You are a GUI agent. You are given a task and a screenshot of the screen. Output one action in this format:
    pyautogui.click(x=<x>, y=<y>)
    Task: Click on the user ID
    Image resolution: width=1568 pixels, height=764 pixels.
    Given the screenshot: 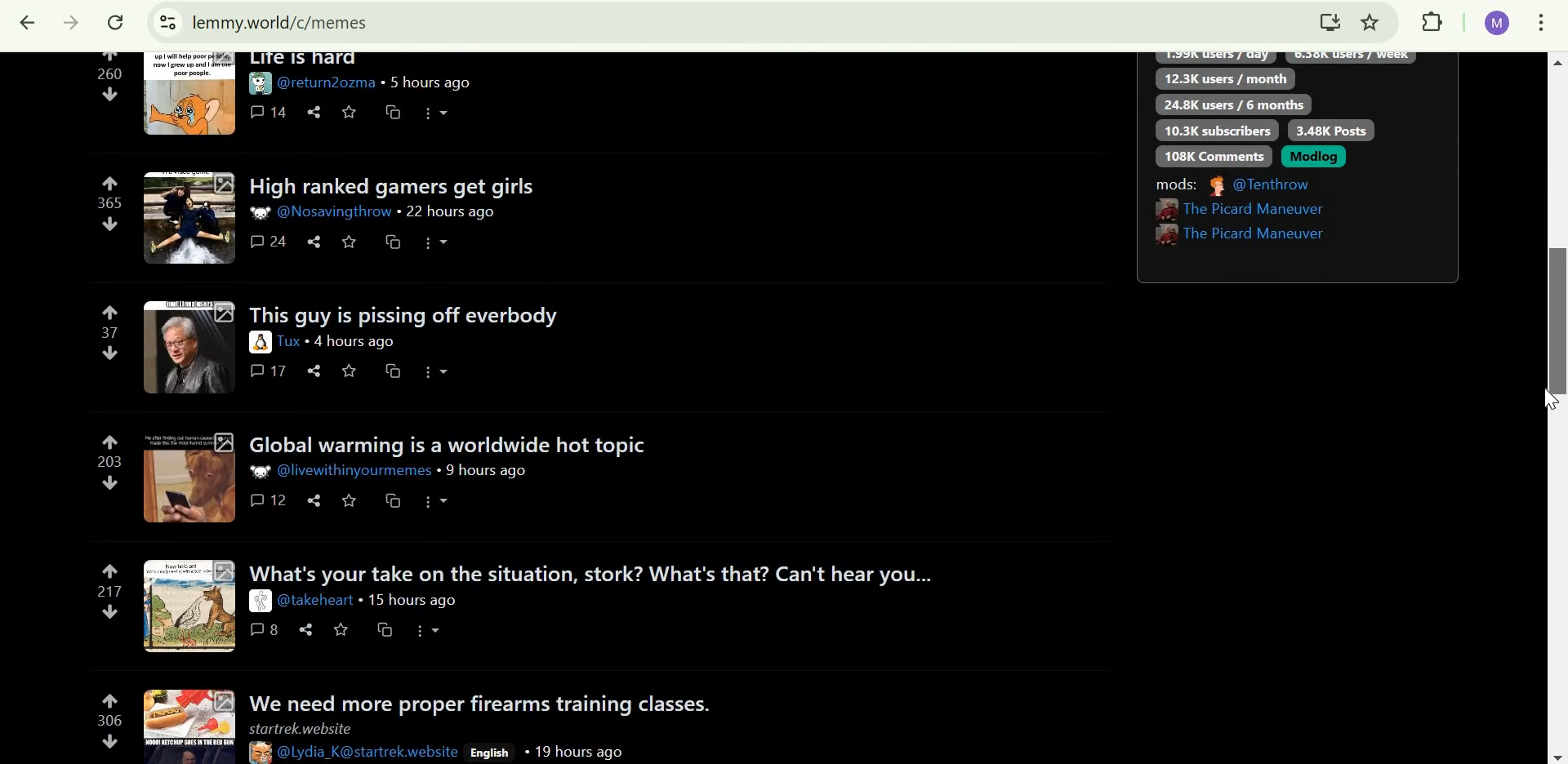 What is the action you would take?
    pyautogui.click(x=327, y=82)
    